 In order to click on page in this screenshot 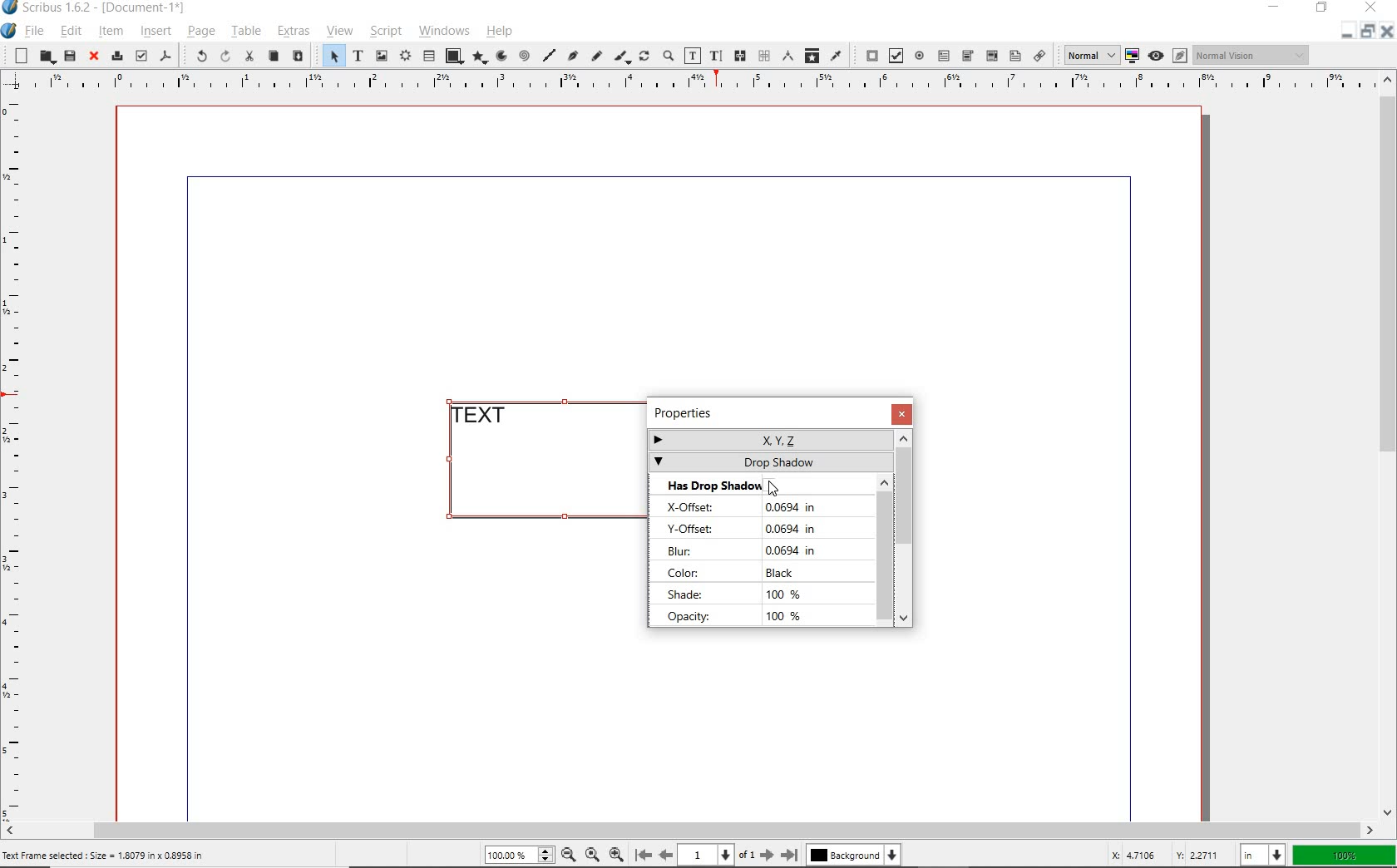, I will do `click(200, 33)`.